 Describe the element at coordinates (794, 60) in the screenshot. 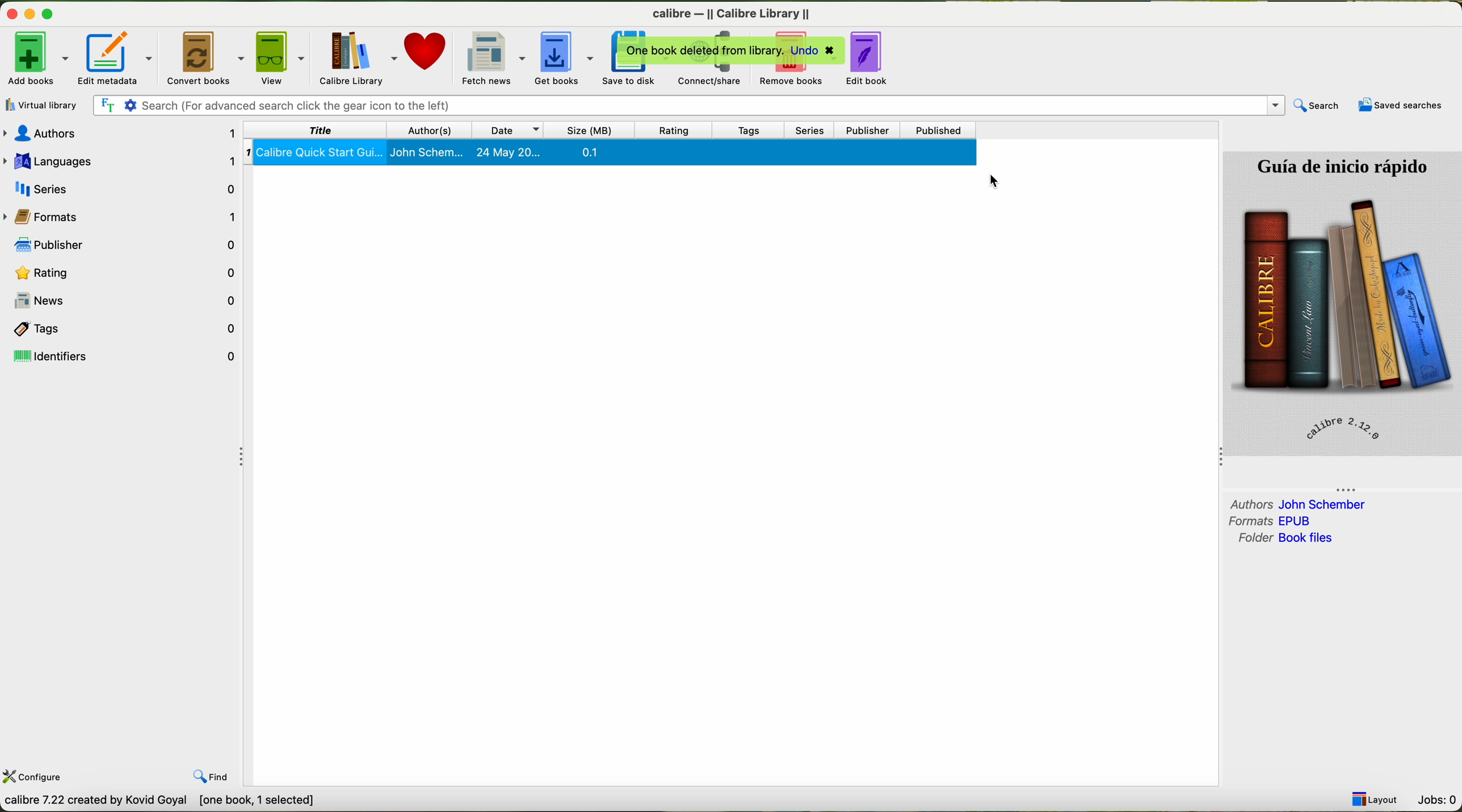

I see `click on remove books` at that location.